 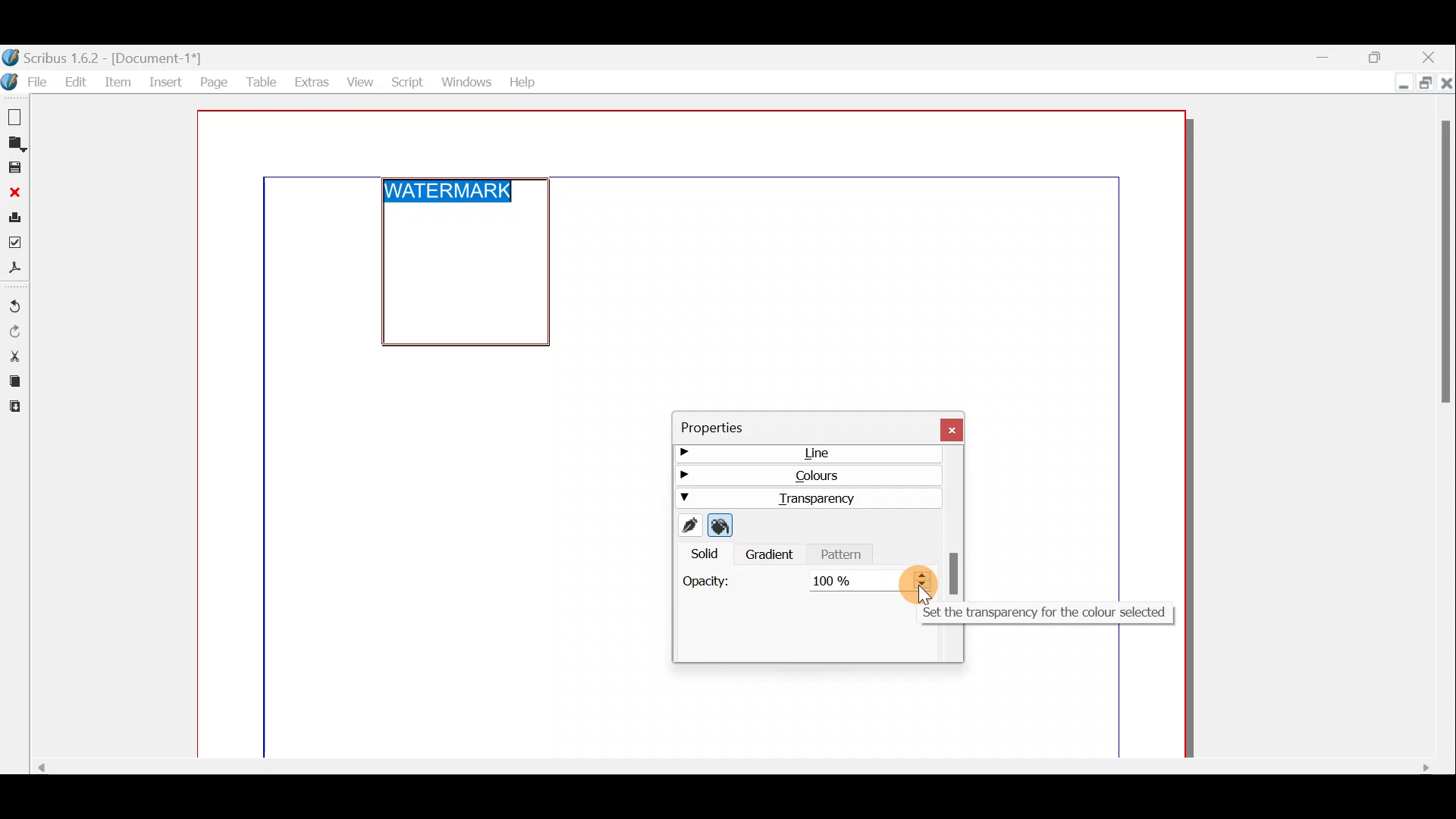 I want to click on Gradient, so click(x=770, y=557).